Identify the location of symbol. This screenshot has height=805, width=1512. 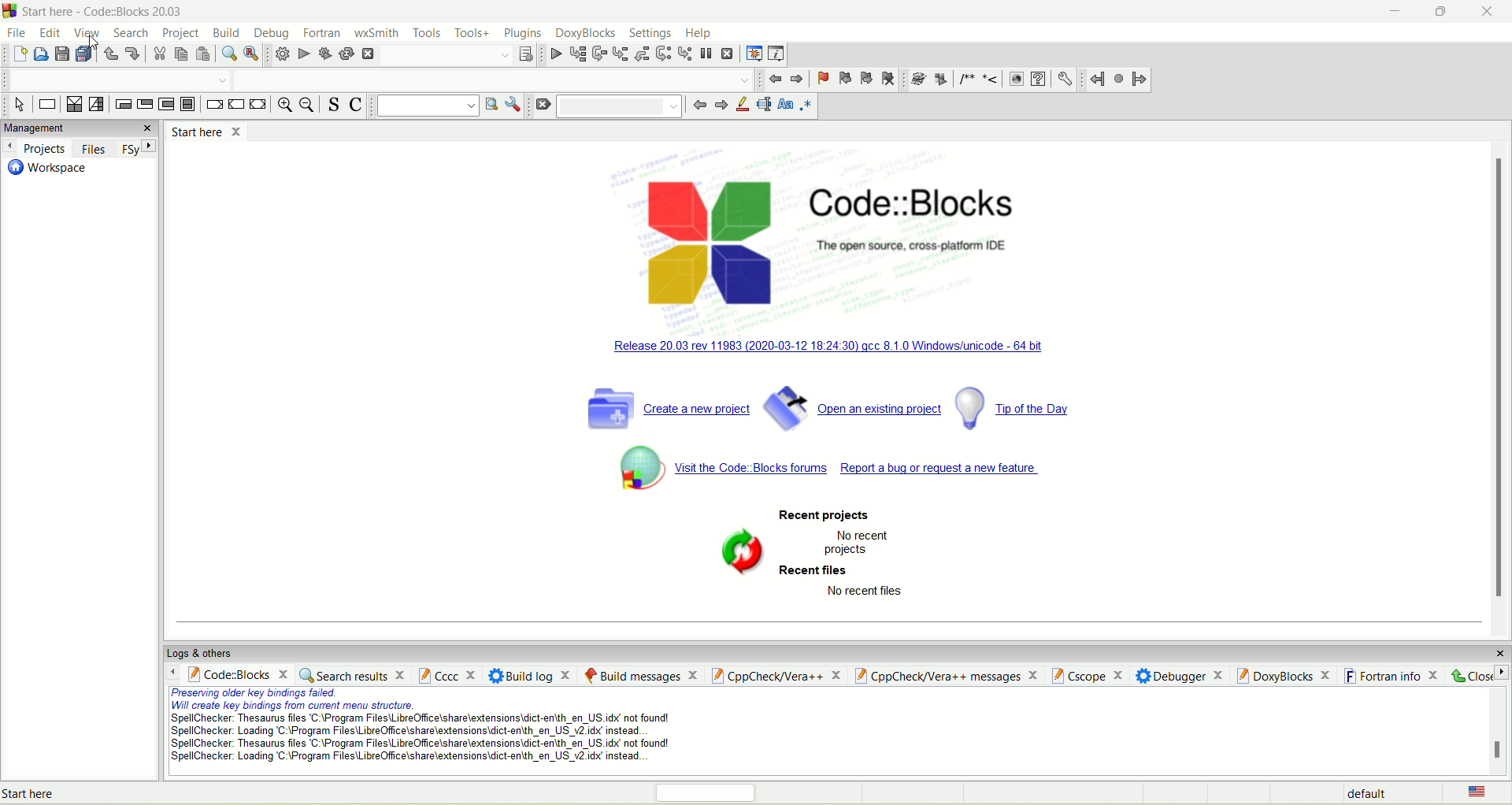
(629, 466).